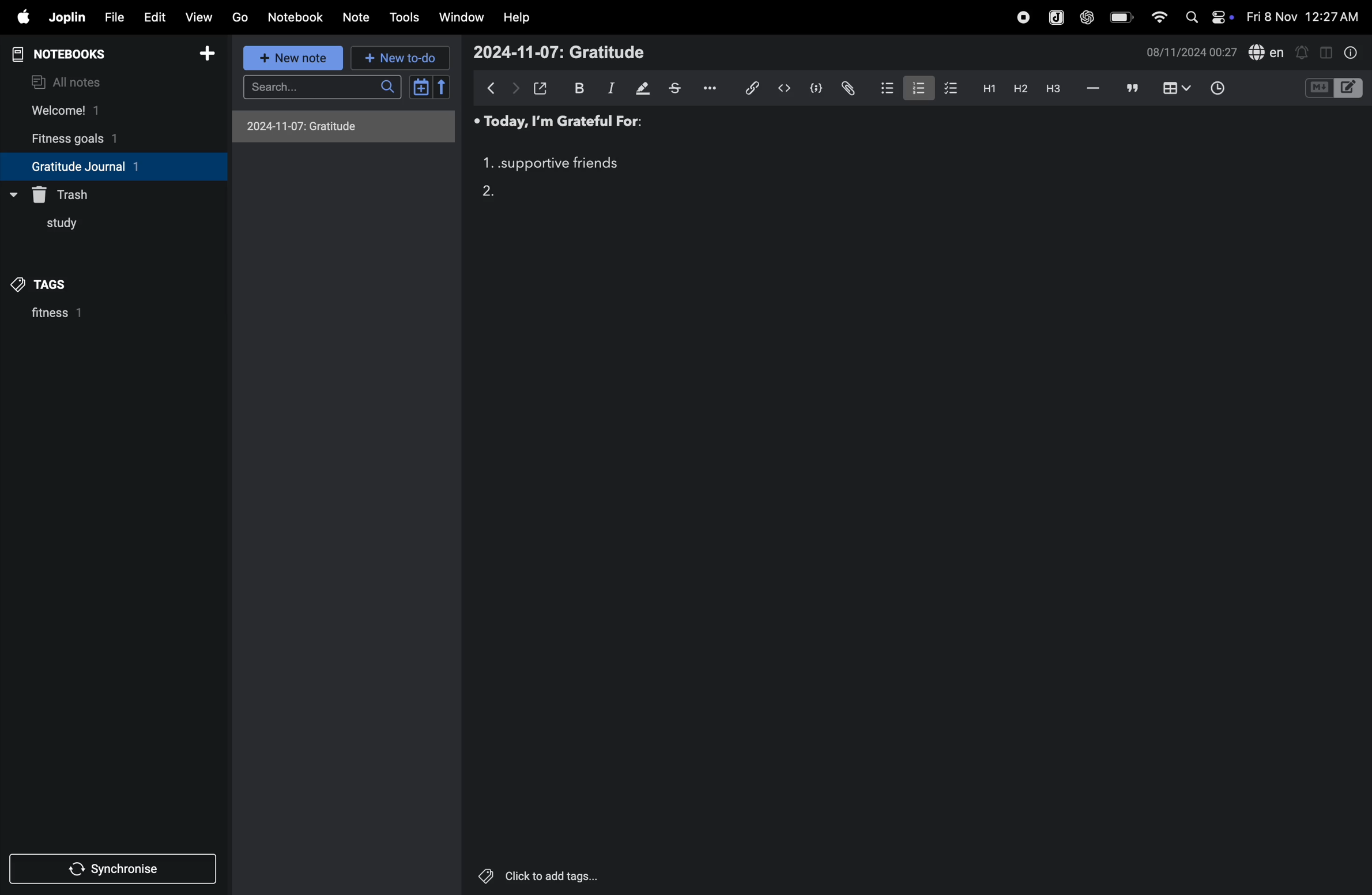  Describe the element at coordinates (1303, 54) in the screenshot. I see `create alert` at that location.